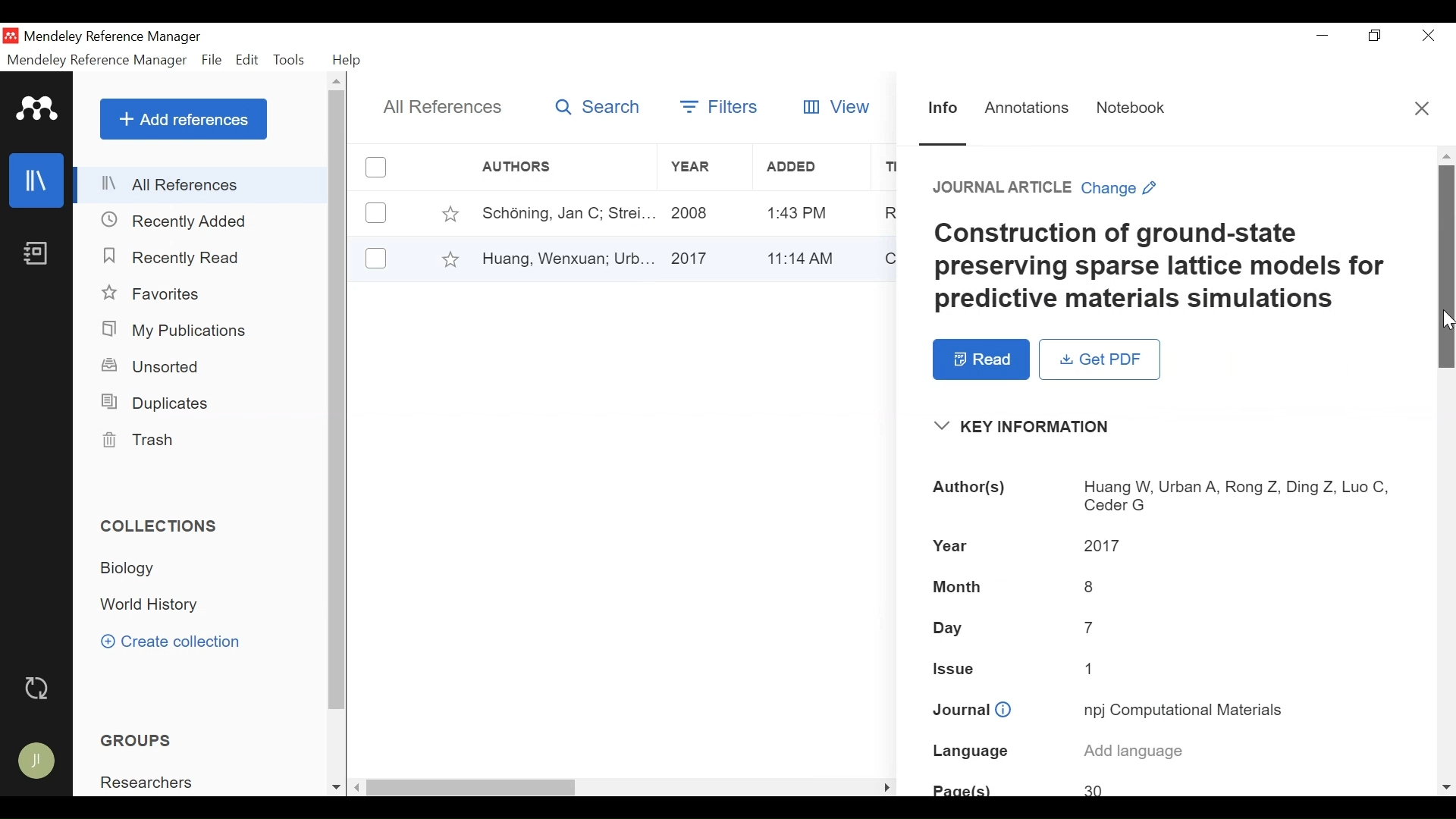  What do you see at coordinates (1134, 108) in the screenshot?
I see `Notebook` at bounding box center [1134, 108].